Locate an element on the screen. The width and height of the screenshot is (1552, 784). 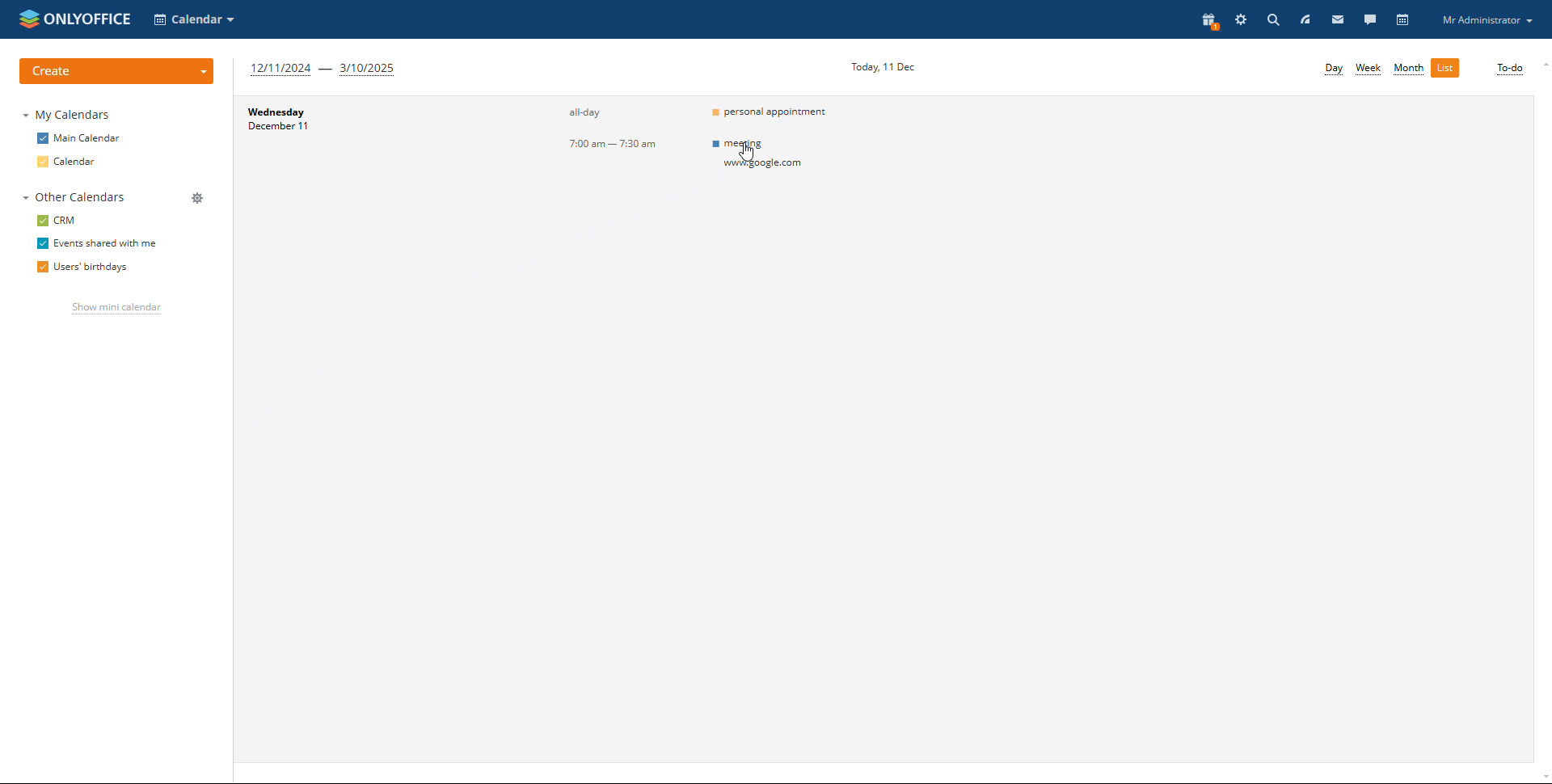
create is located at coordinates (116, 72).